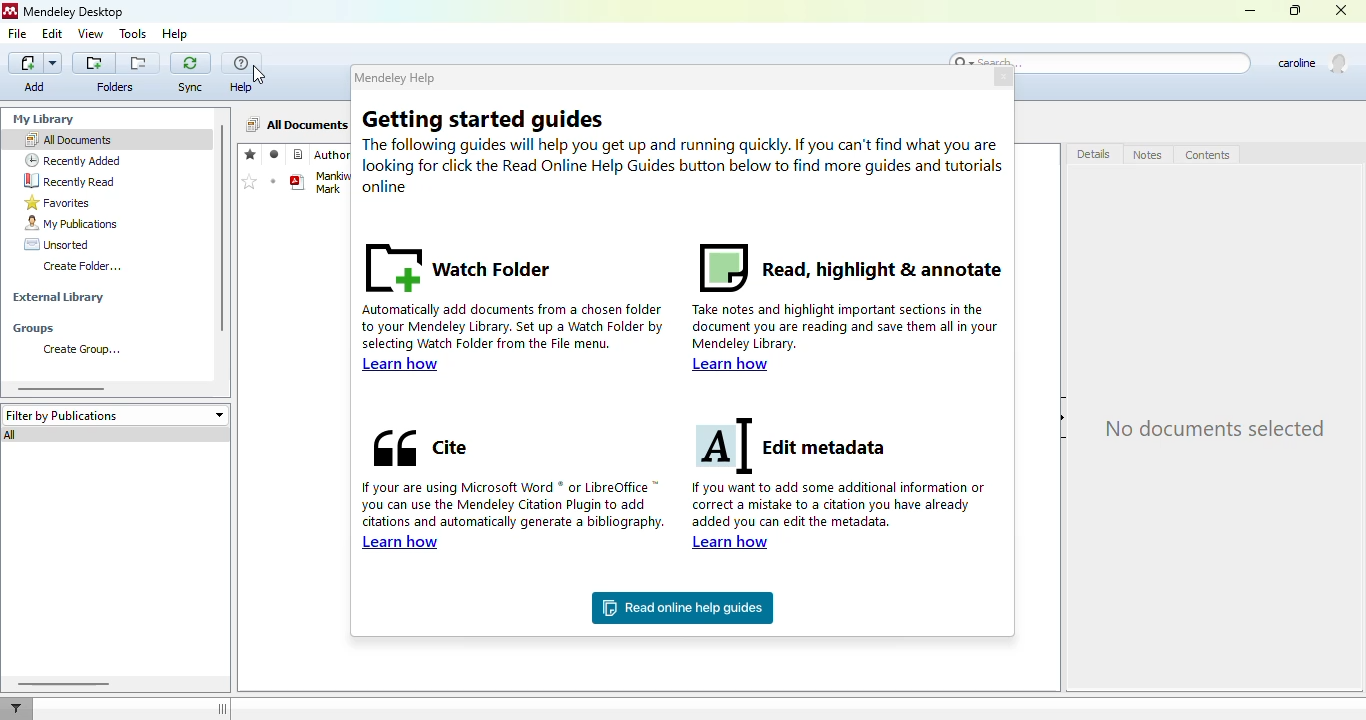  Describe the element at coordinates (682, 608) in the screenshot. I see `read online help guides` at that location.